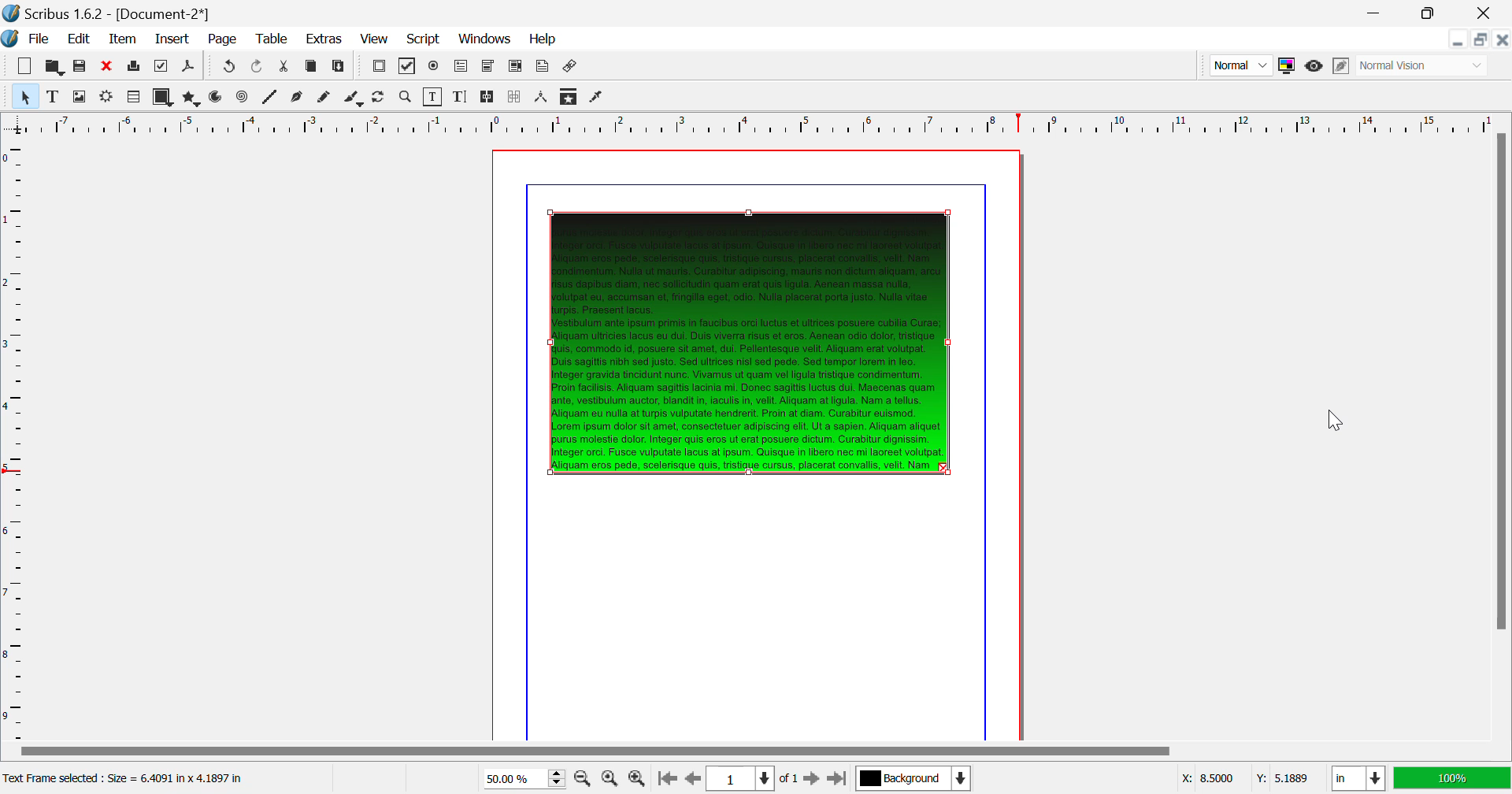 Image resolution: width=1512 pixels, height=794 pixels. Describe the element at coordinates (190, 98) in the screenshot. I see `Polygons` at that location.